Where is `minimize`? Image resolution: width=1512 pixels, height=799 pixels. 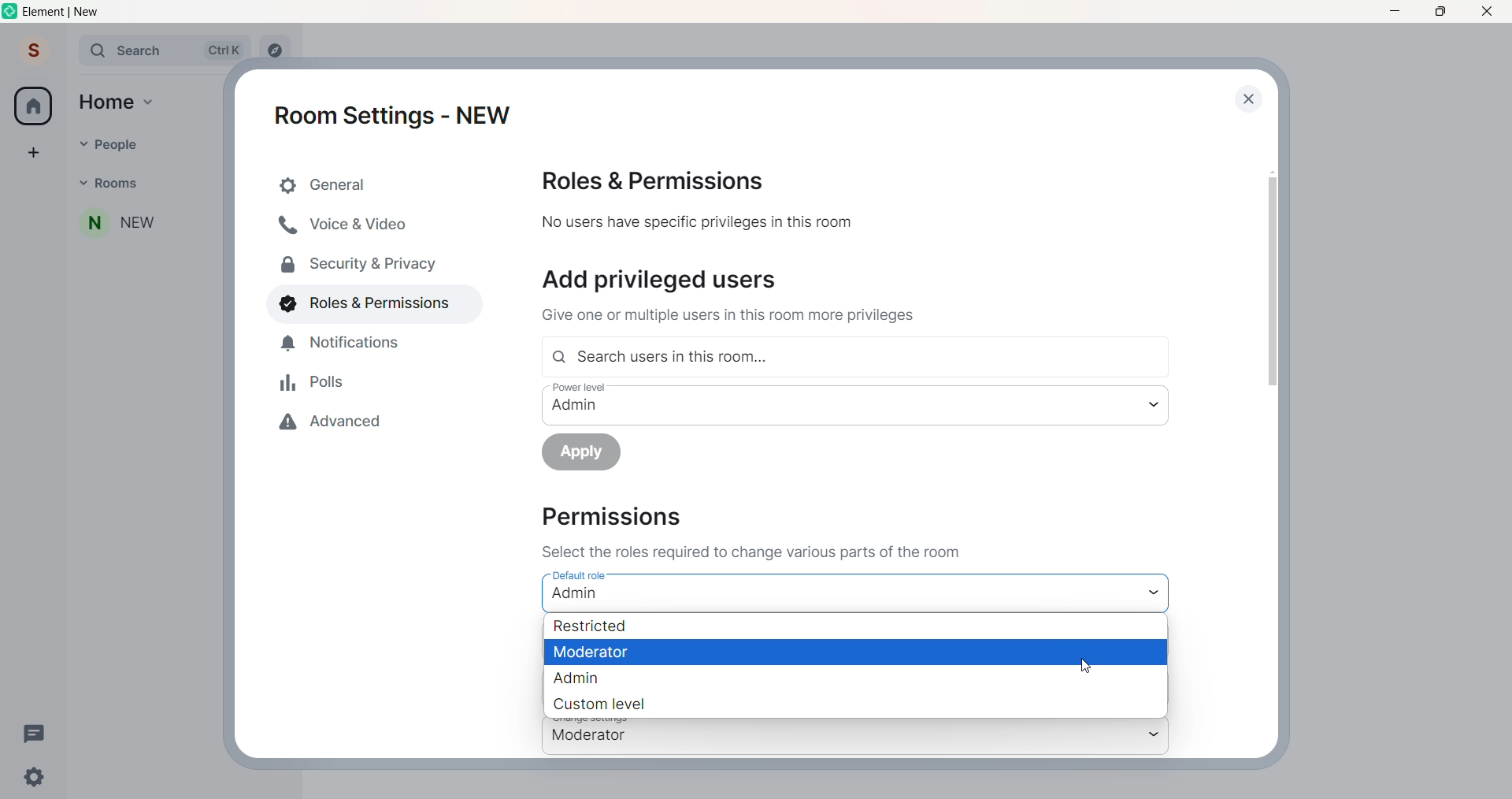
minimize is located at coordinates (1391, 12).